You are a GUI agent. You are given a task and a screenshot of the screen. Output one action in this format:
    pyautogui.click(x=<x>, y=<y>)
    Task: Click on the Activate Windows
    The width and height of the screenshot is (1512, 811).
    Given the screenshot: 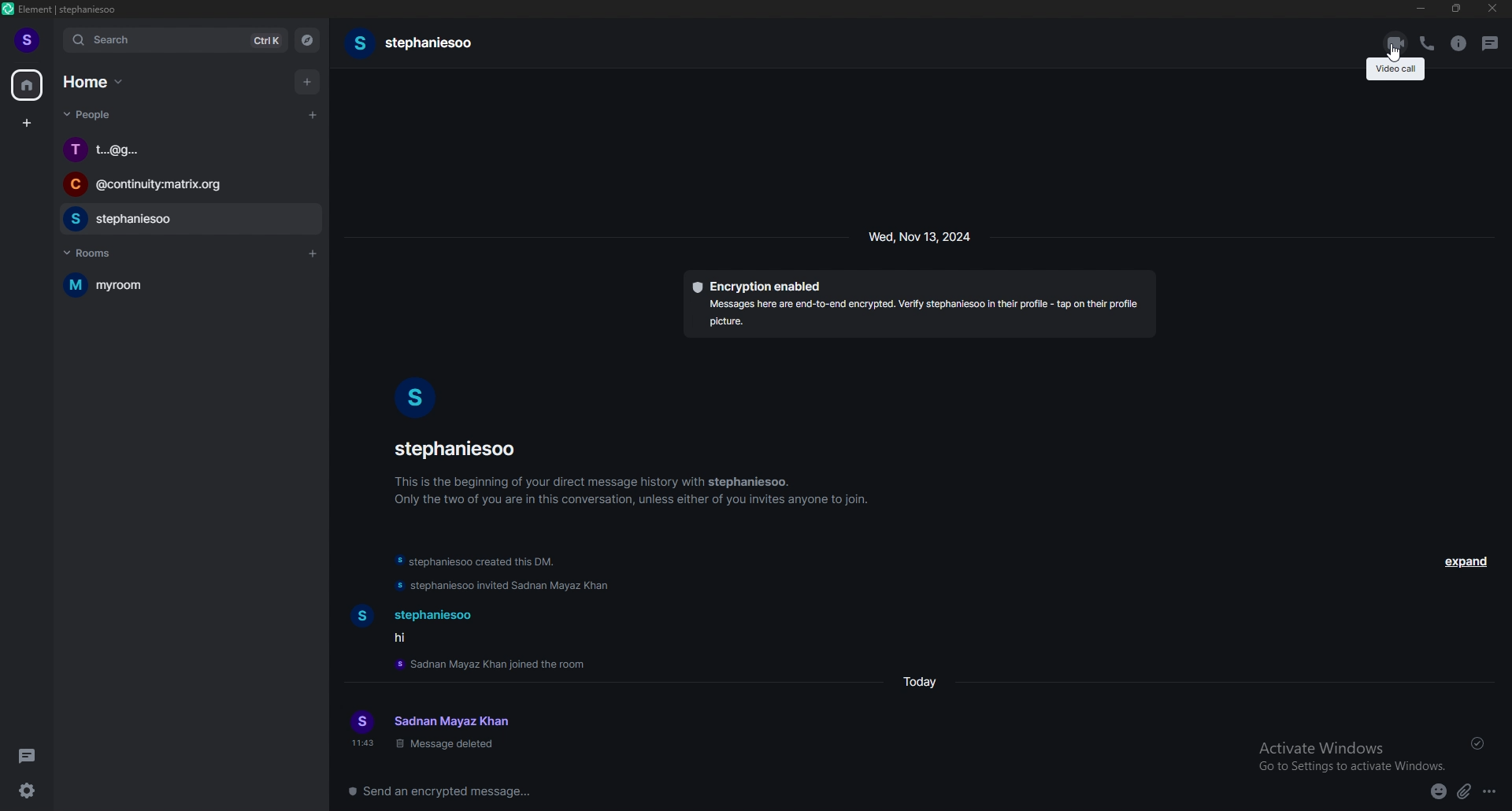 What is the action you would take?
    pyautogui.click(x=1346, y=751)
    